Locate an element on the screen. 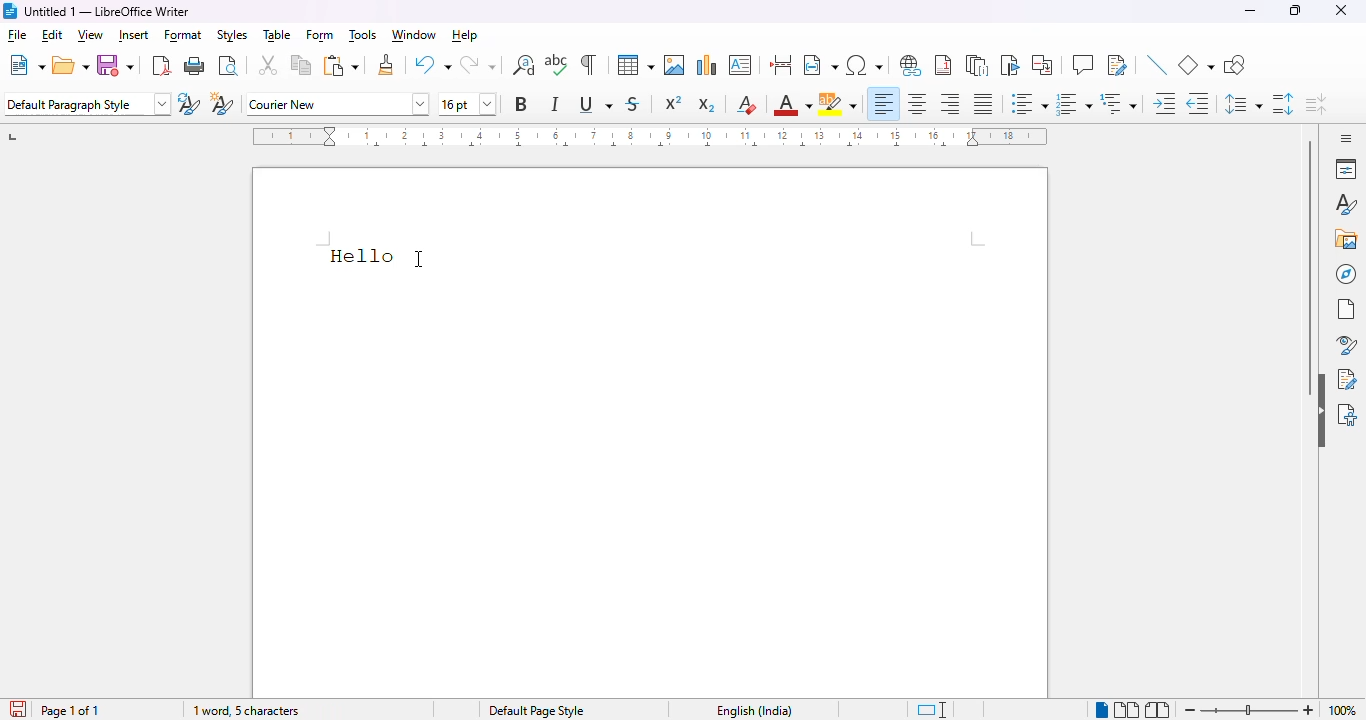 Image resolution: width=1366 pixels, height=720 pixels. toggle formatting marks is located at coordinates (588, 64).